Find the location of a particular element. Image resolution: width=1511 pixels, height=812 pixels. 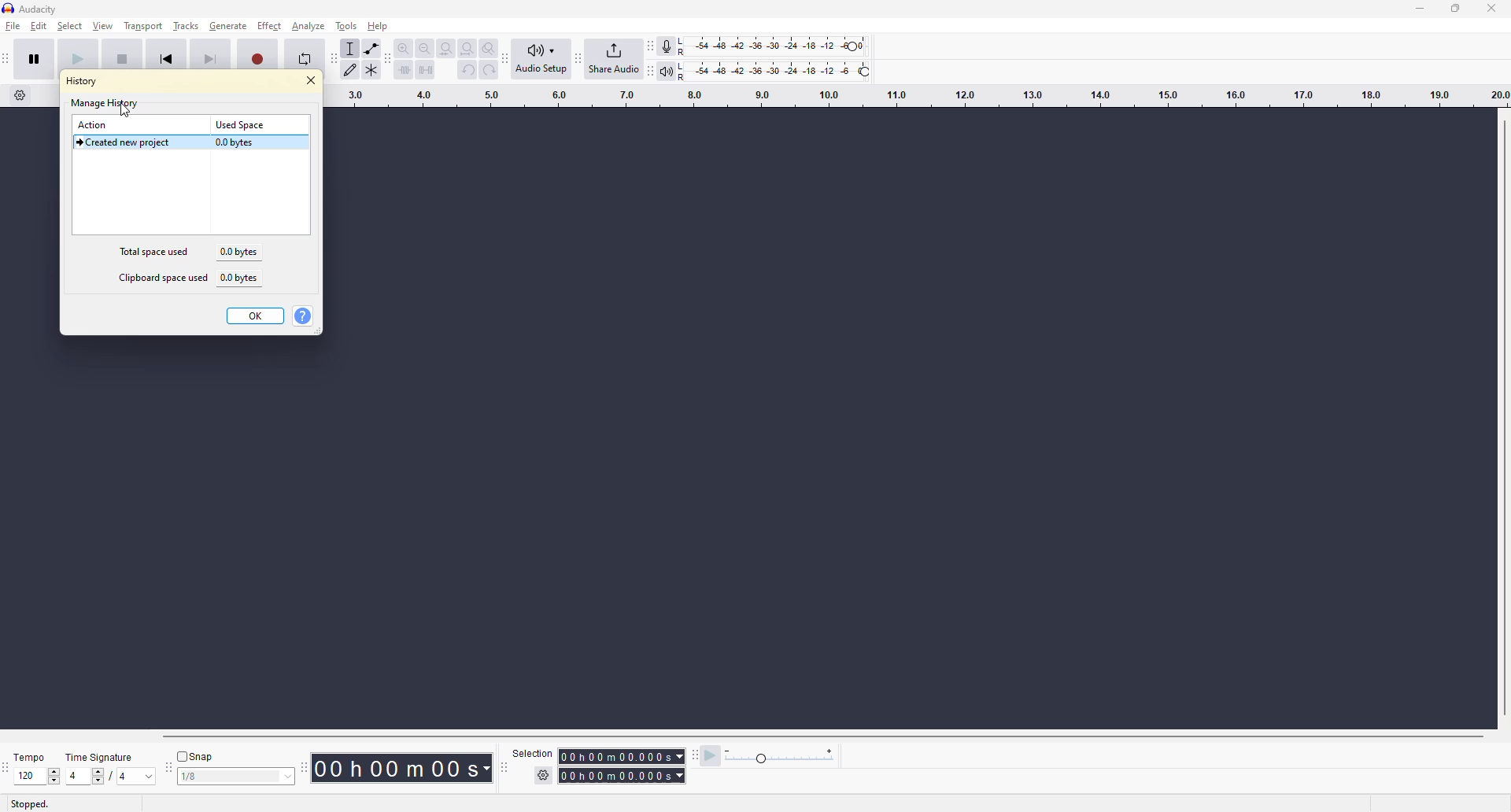

snap is located at coordinates (195, 758).